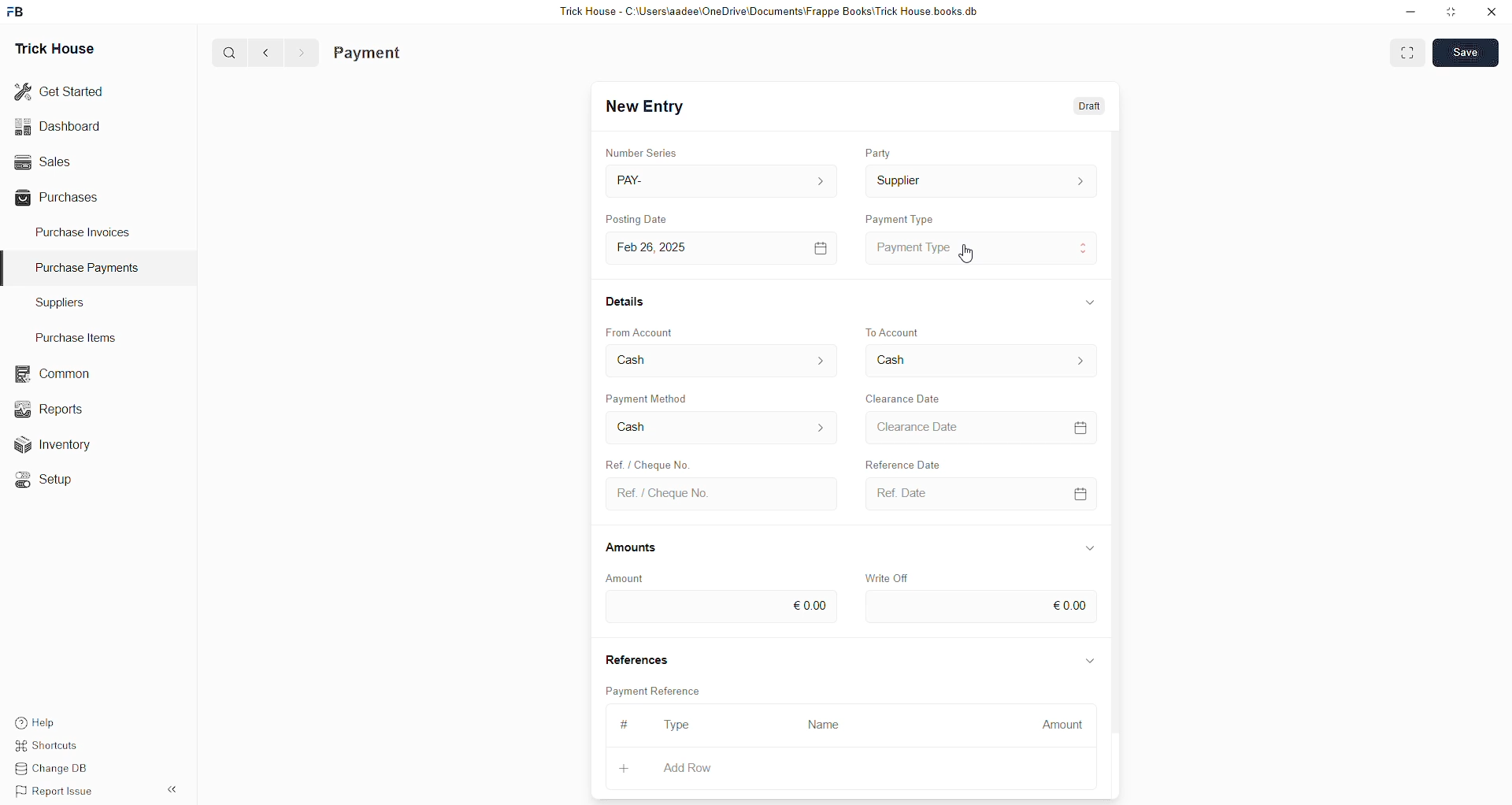 The image size is (1512, 805). I want to click on Maximize, so click(1452, 15).